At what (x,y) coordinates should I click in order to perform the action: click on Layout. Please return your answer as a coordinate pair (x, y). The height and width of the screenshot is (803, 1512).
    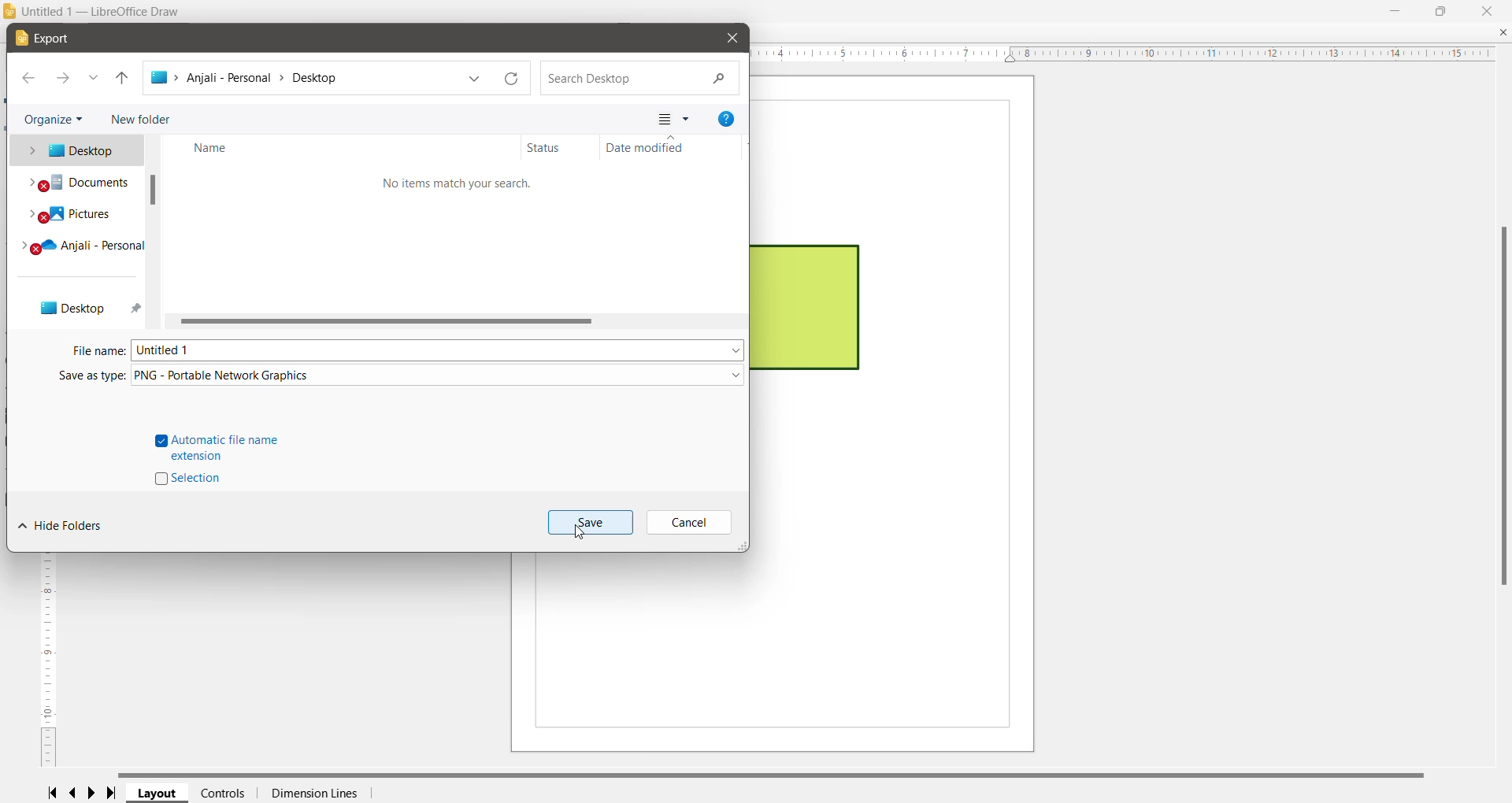
    Looking at the image, I should click on (158, 794).